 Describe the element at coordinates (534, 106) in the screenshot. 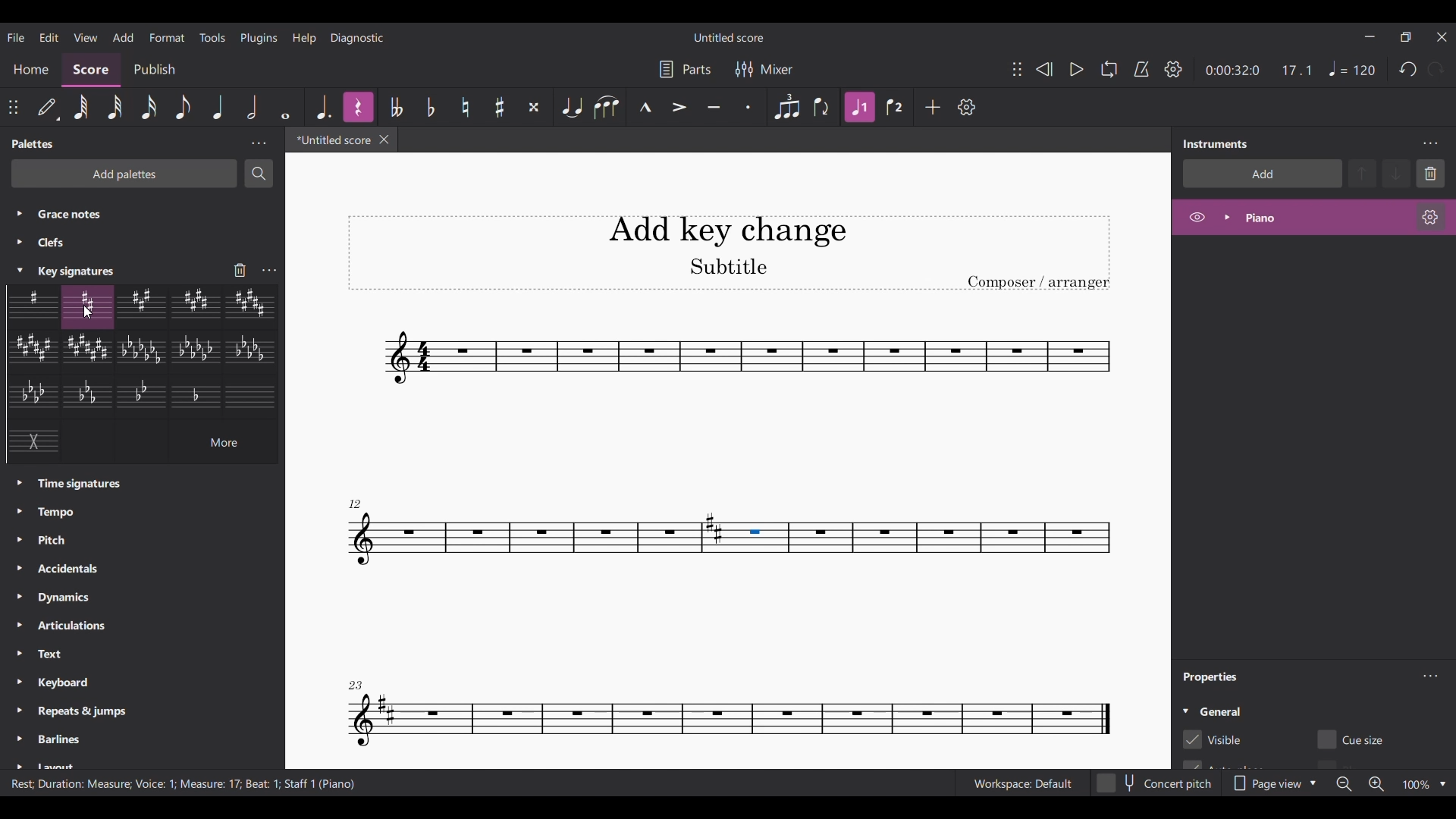

I see `Toggle double sharp` at that location.